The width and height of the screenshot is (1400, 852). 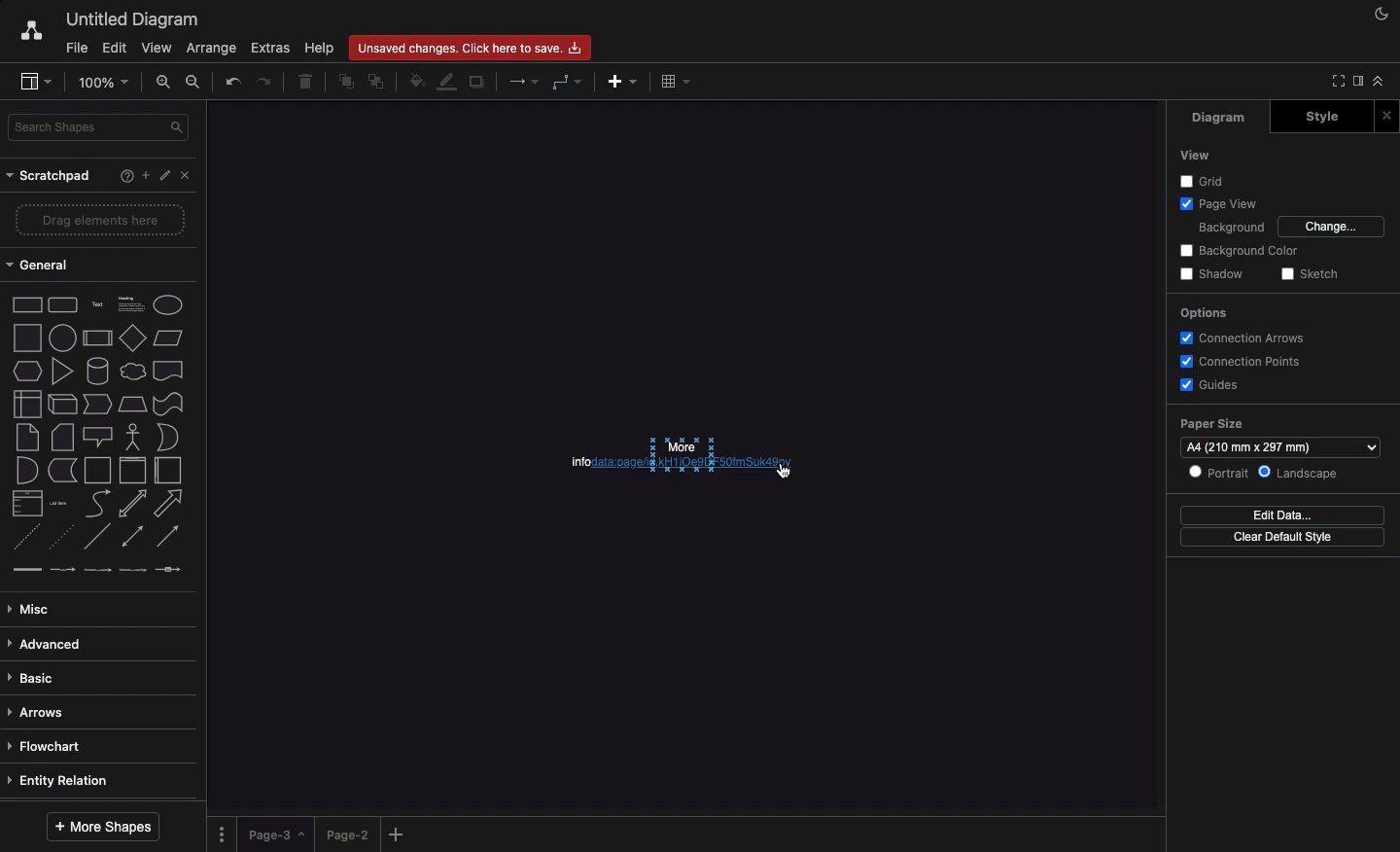 What do you see at coordinates (345, 834) in the screenshot?
I see `Page 2` at bounding box center [345, 834].